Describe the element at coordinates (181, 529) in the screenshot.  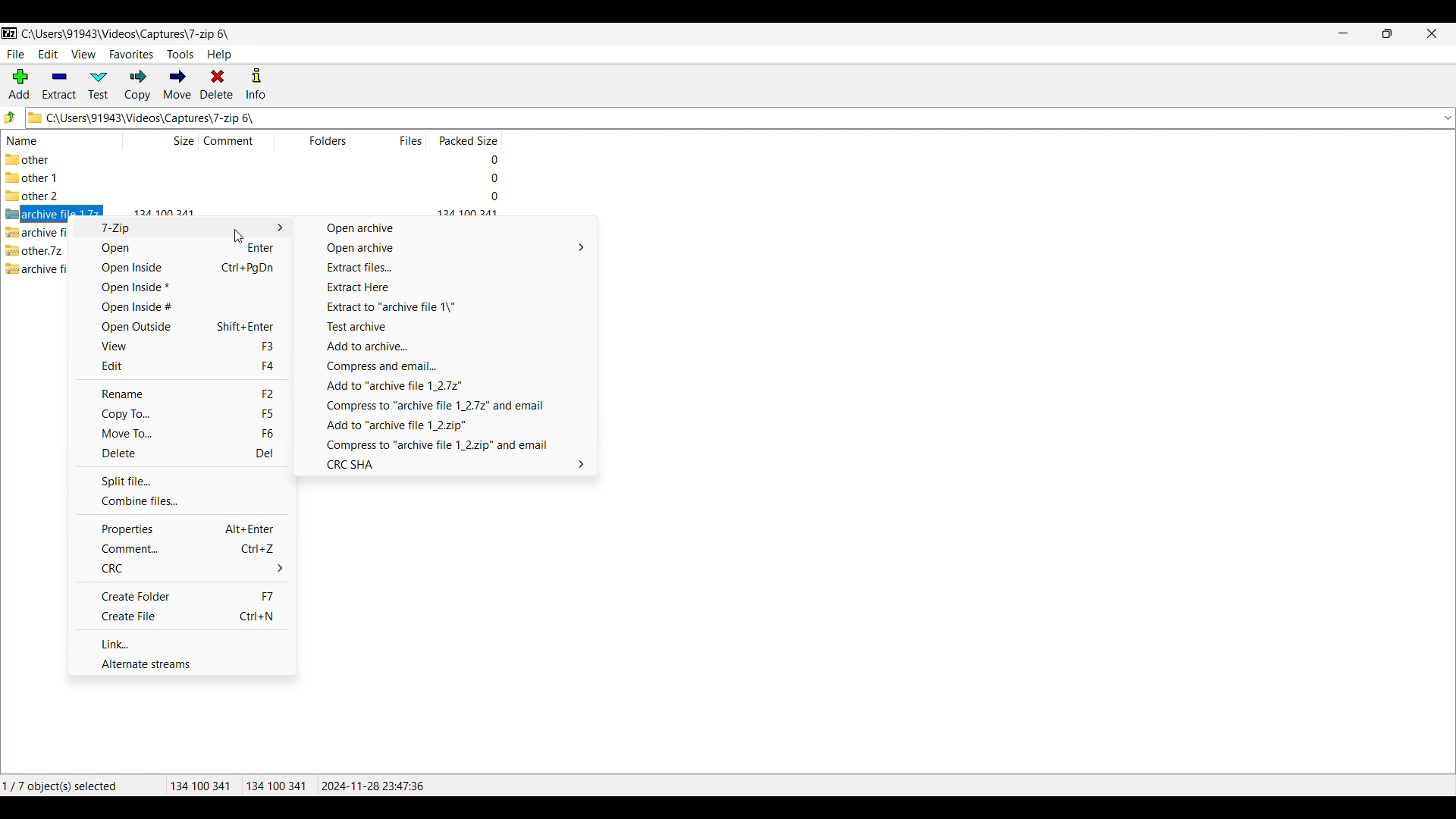
I see `Properties` at that location.